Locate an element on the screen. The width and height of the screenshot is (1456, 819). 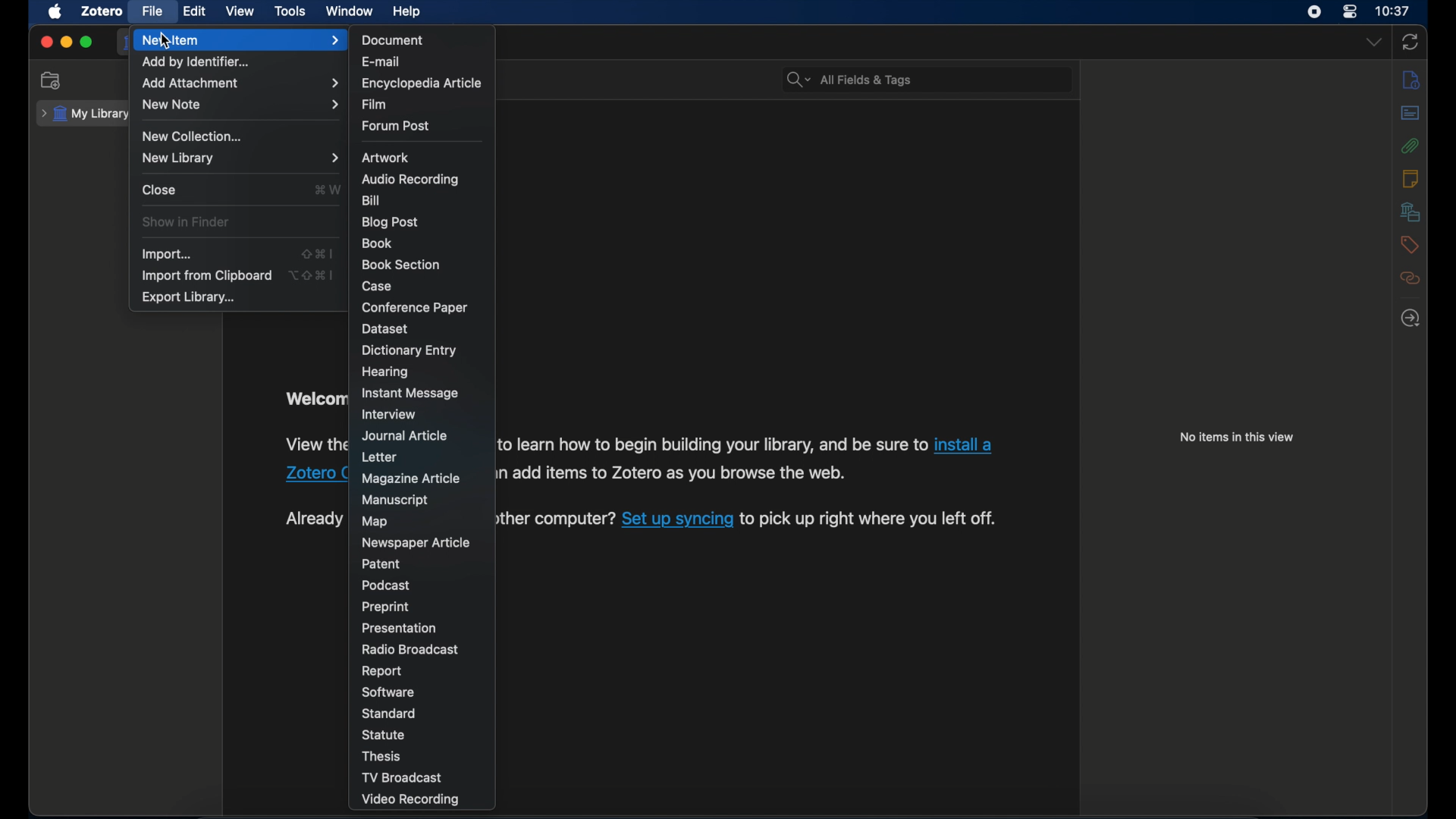
film is located at coordinates (375, 103).